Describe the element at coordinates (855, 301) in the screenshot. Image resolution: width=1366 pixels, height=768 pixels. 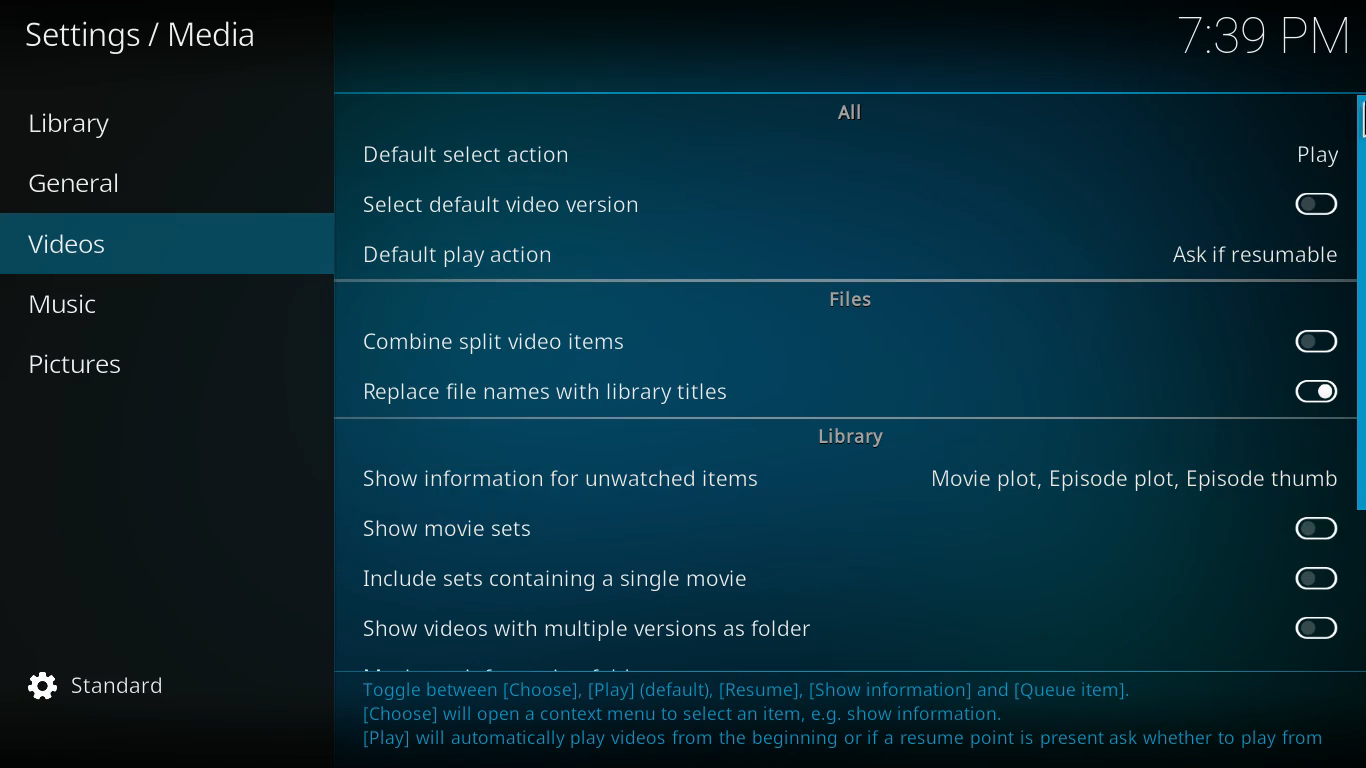
I see `files` at that location.